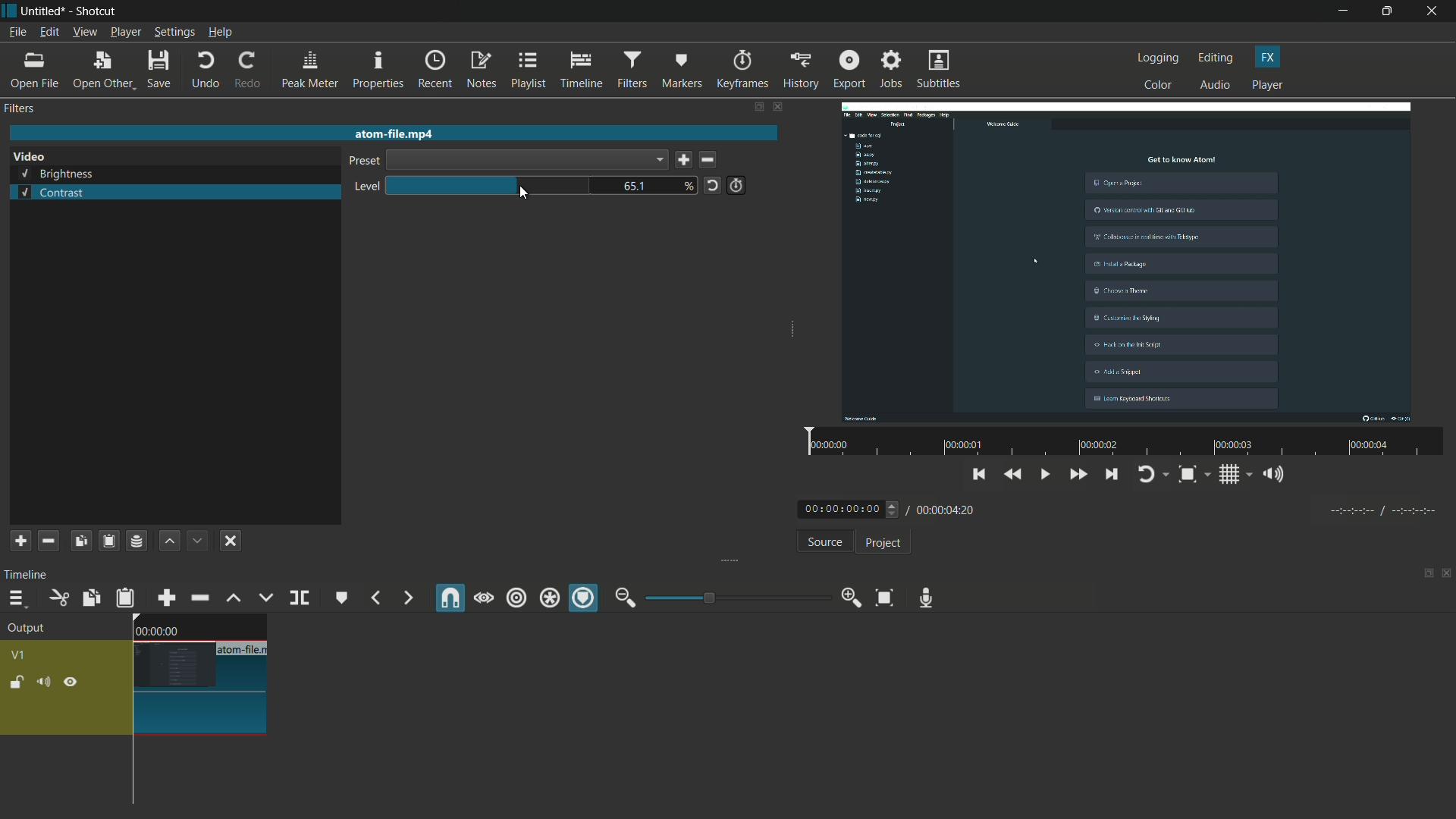 The width and height of the screenshot is (1456, 819). I want to click on help menu, so click(221, 33).